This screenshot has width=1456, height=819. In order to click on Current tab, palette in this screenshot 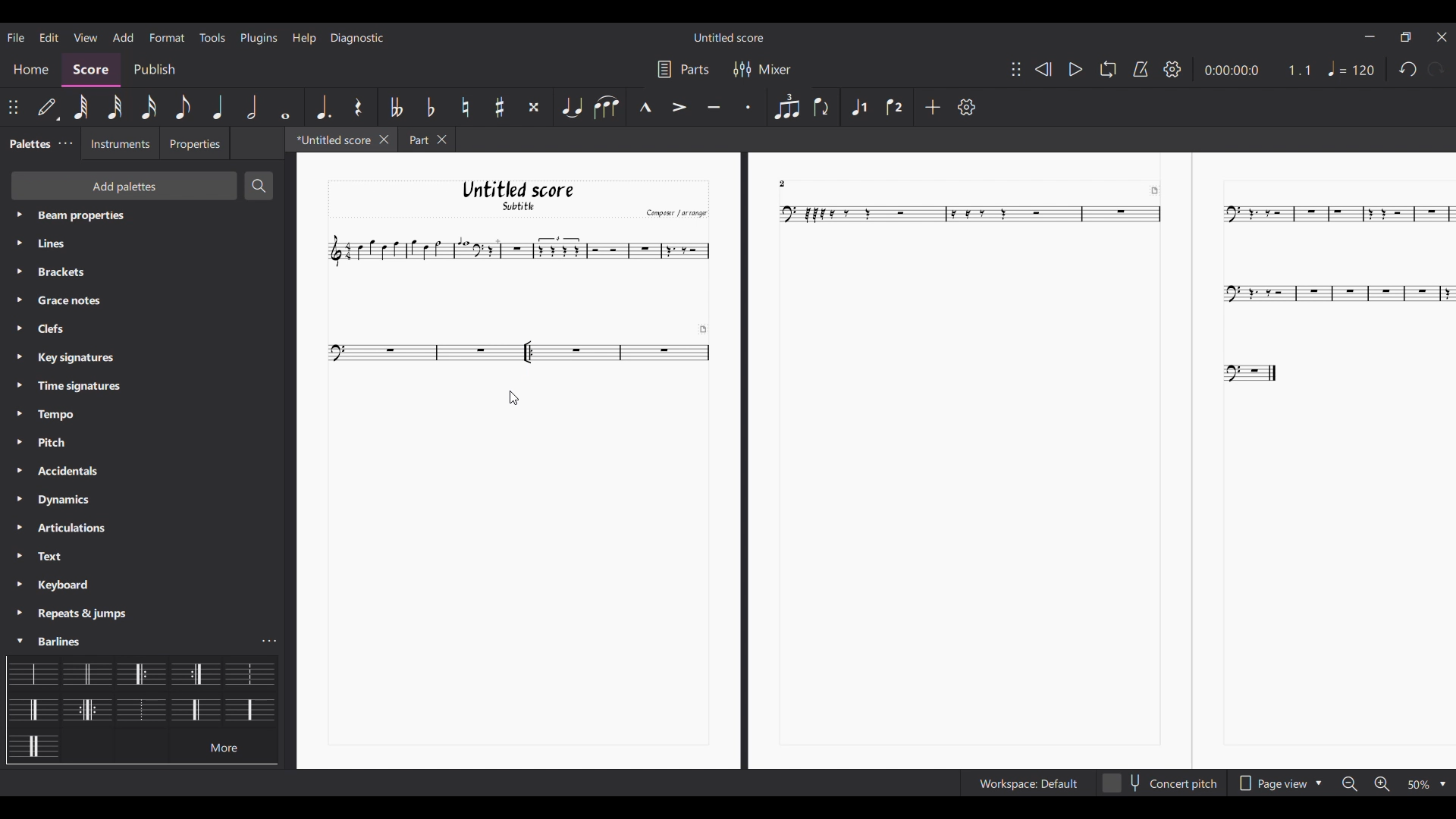, I will do `click(29, 143)`.